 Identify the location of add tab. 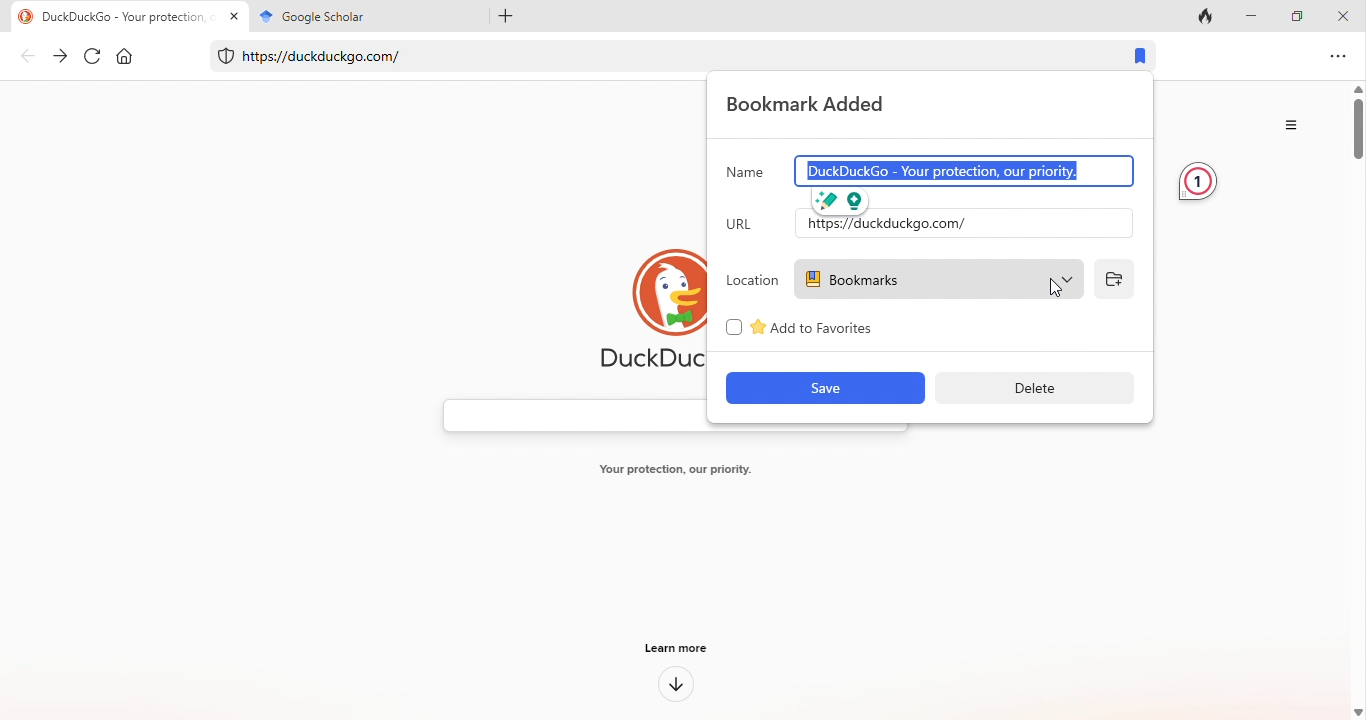
(501, 15).